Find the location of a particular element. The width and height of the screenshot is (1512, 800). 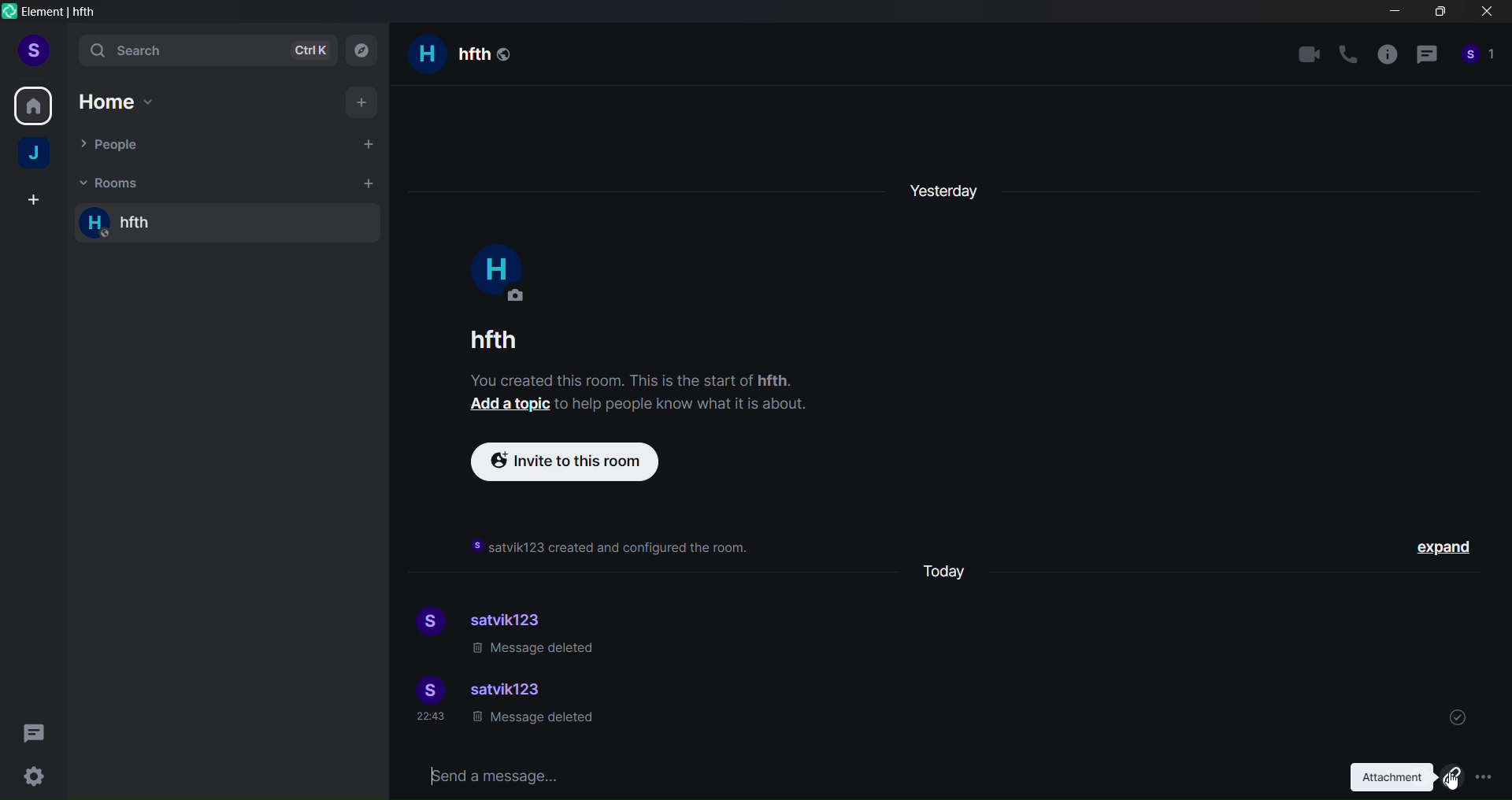

room name is located at coordinates (446, 56).